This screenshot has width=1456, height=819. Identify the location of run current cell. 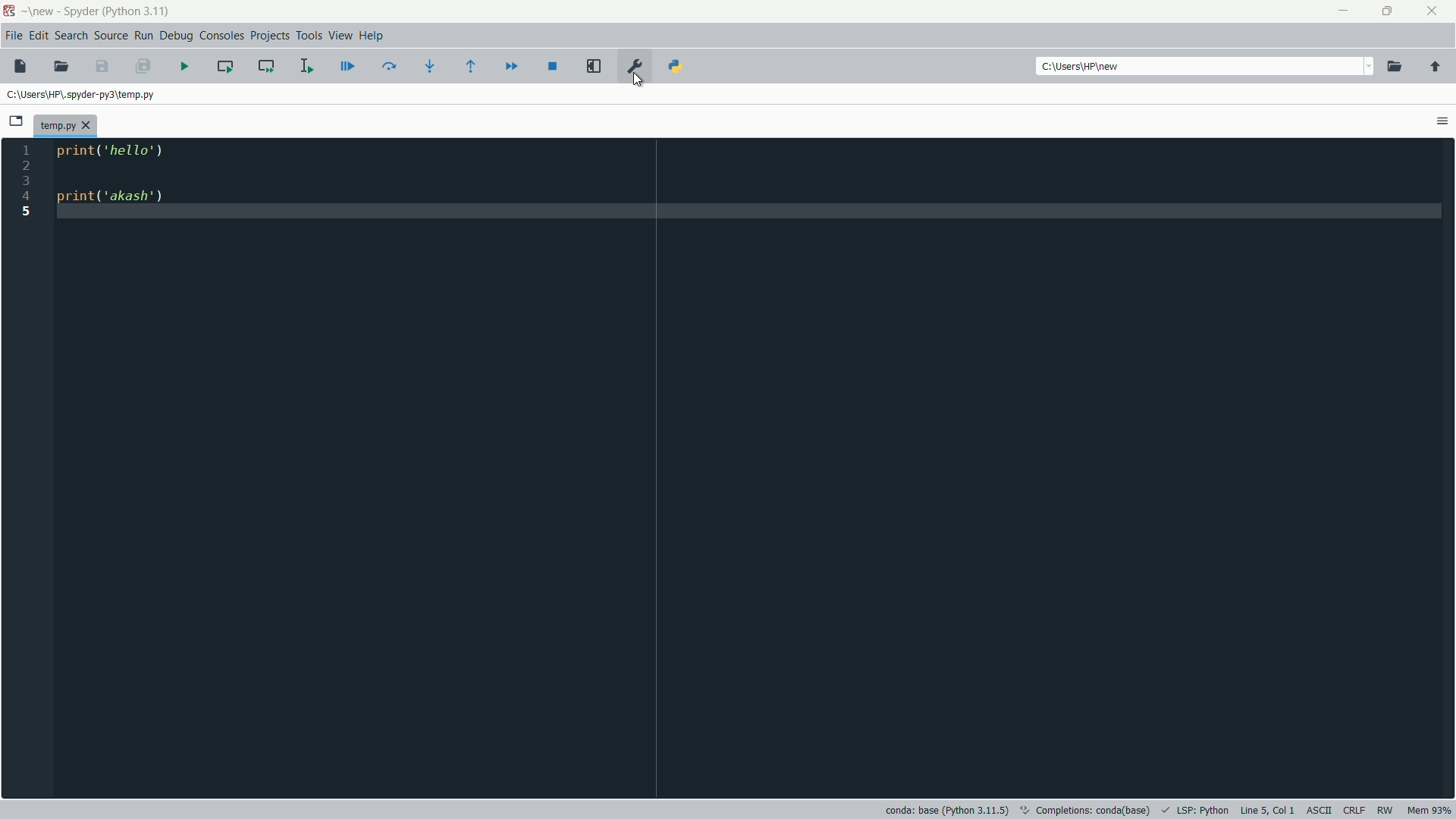
(225, 65).